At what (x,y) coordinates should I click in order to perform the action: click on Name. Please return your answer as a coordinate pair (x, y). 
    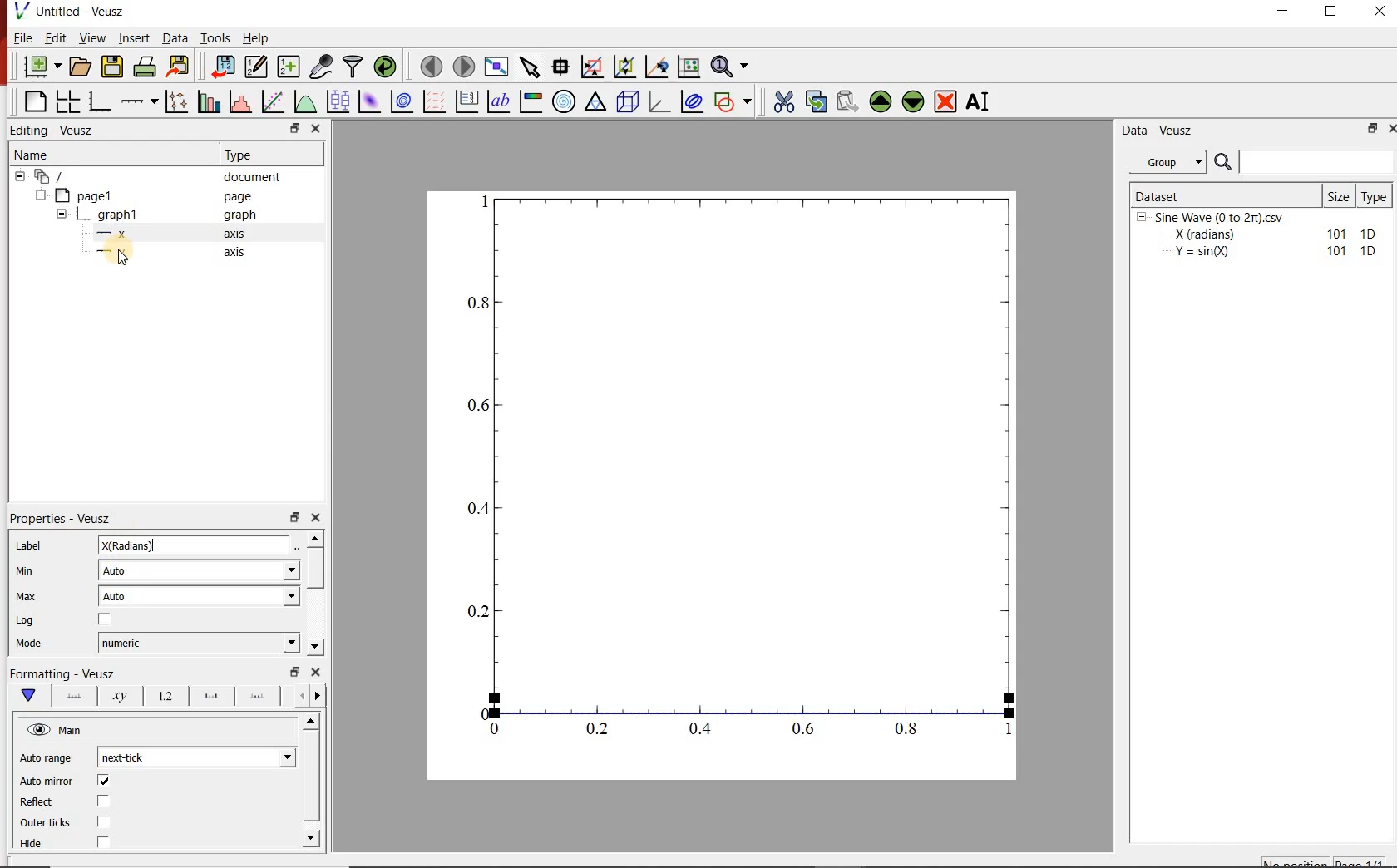
    Looking at the image, I should click on (30, 153).